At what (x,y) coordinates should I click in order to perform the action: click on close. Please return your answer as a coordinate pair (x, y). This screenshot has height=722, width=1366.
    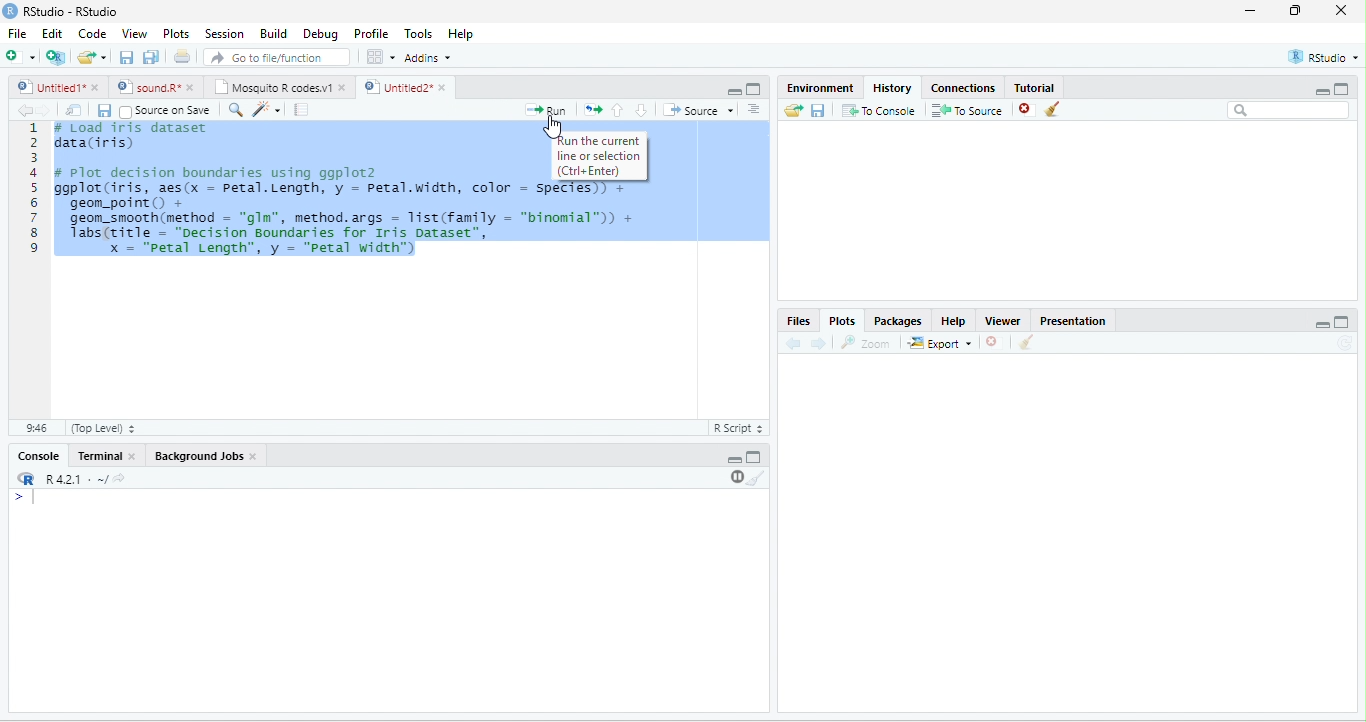
    Looking at the image, I should click on (97, 87).